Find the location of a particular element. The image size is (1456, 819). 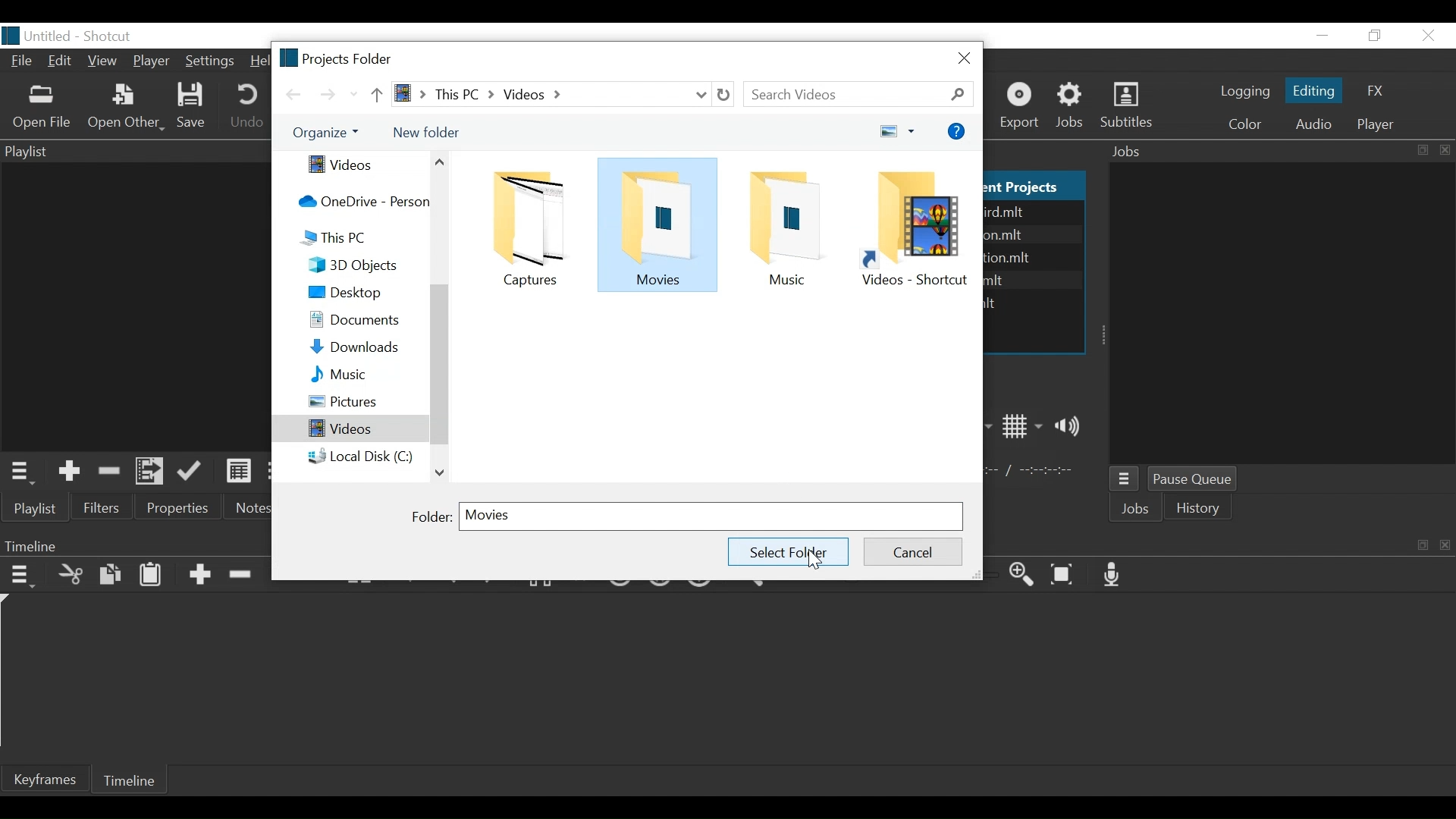

close is located at coordinates (963, 58).